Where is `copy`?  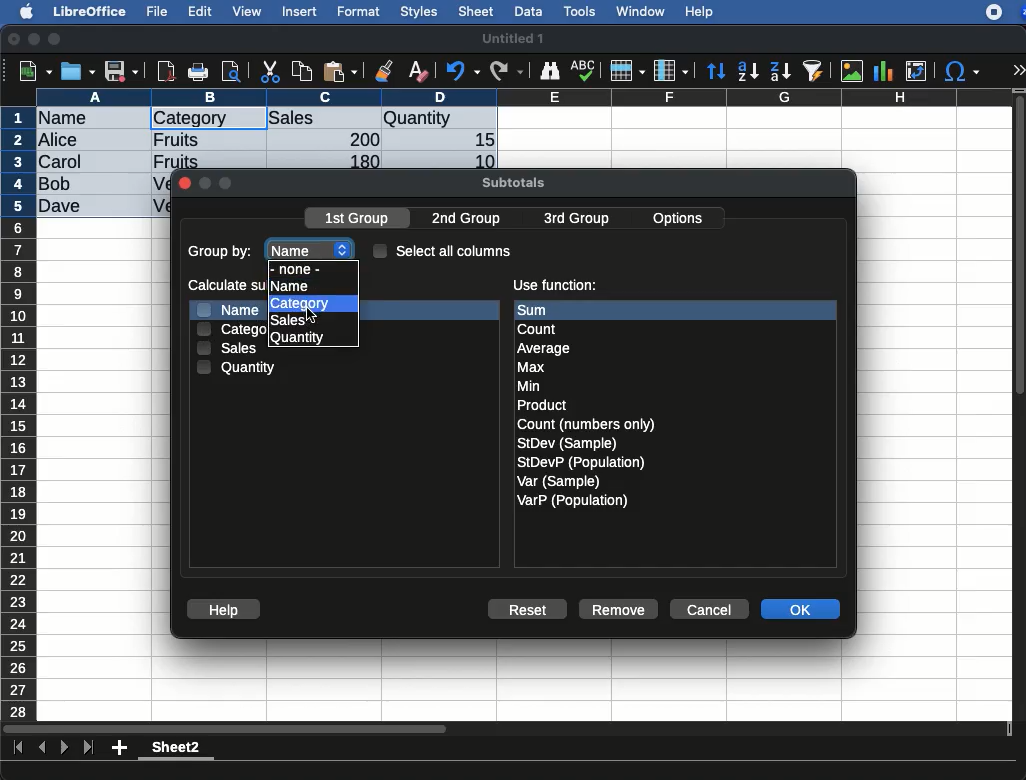
copy is located at coordinates (304, 71).